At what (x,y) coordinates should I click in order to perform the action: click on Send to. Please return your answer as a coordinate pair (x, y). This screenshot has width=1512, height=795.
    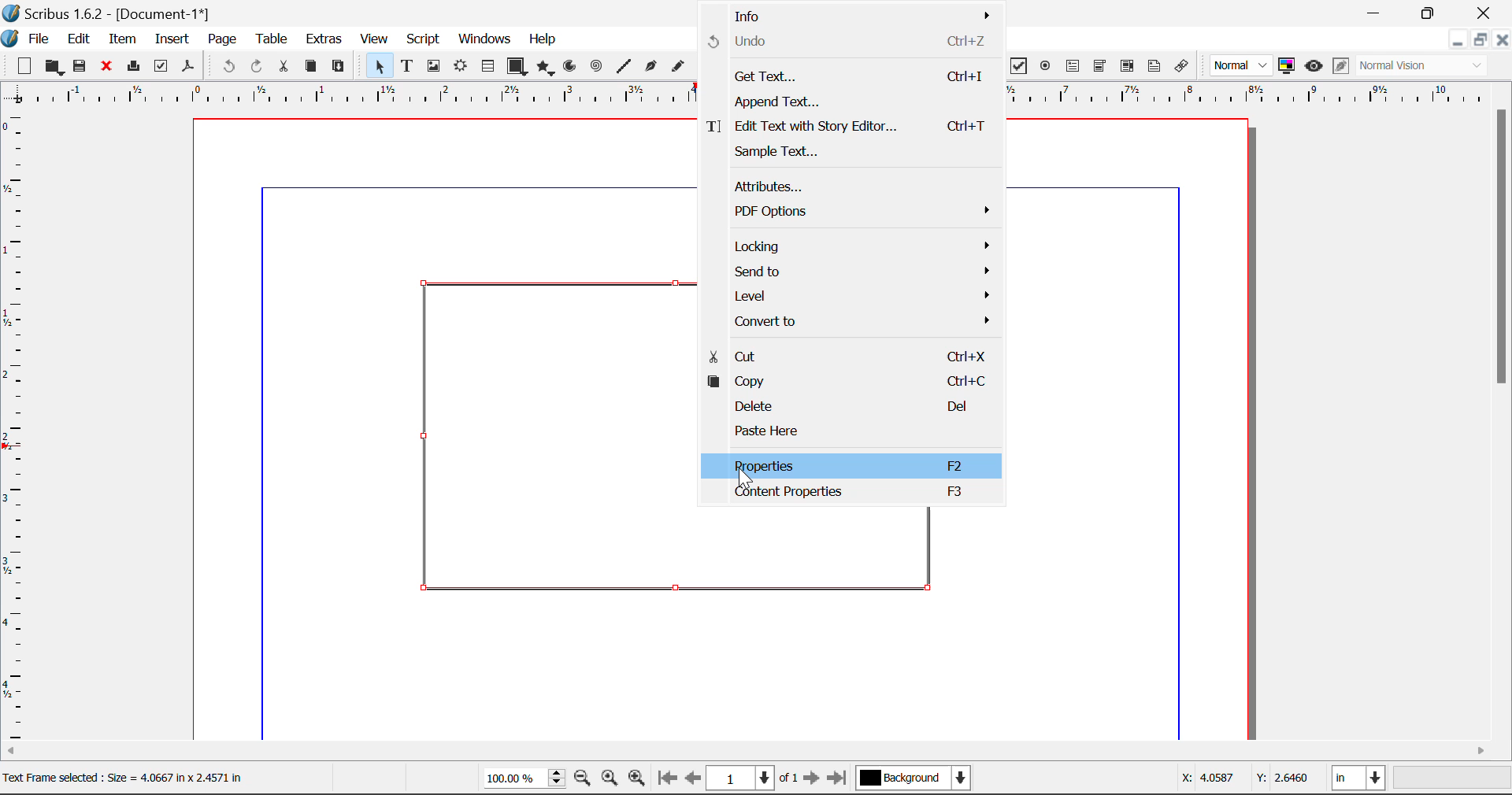
    Looking at the image, I should click on (861, 272).